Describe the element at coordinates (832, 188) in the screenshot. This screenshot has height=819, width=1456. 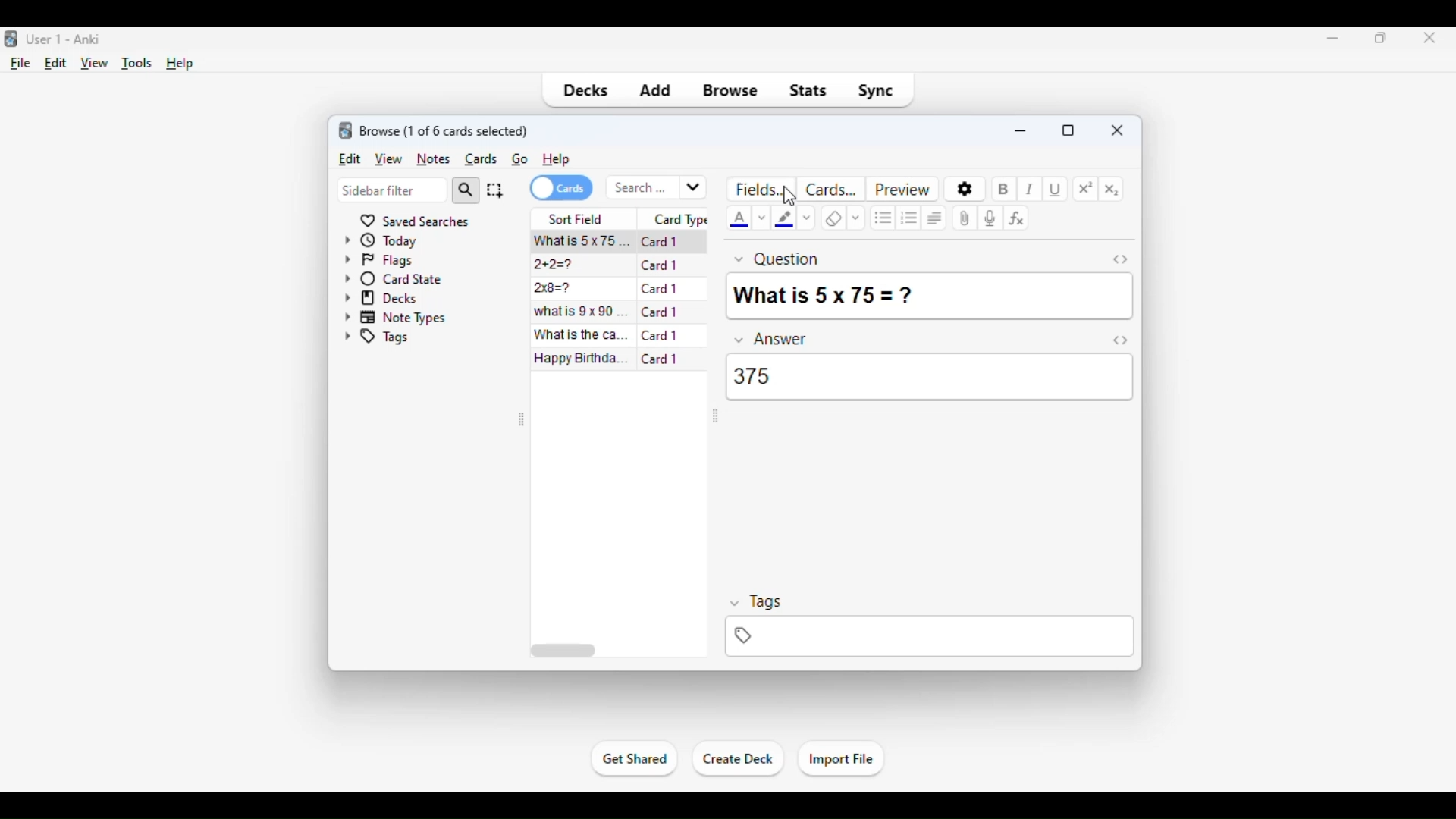
I see `cards` at that location.